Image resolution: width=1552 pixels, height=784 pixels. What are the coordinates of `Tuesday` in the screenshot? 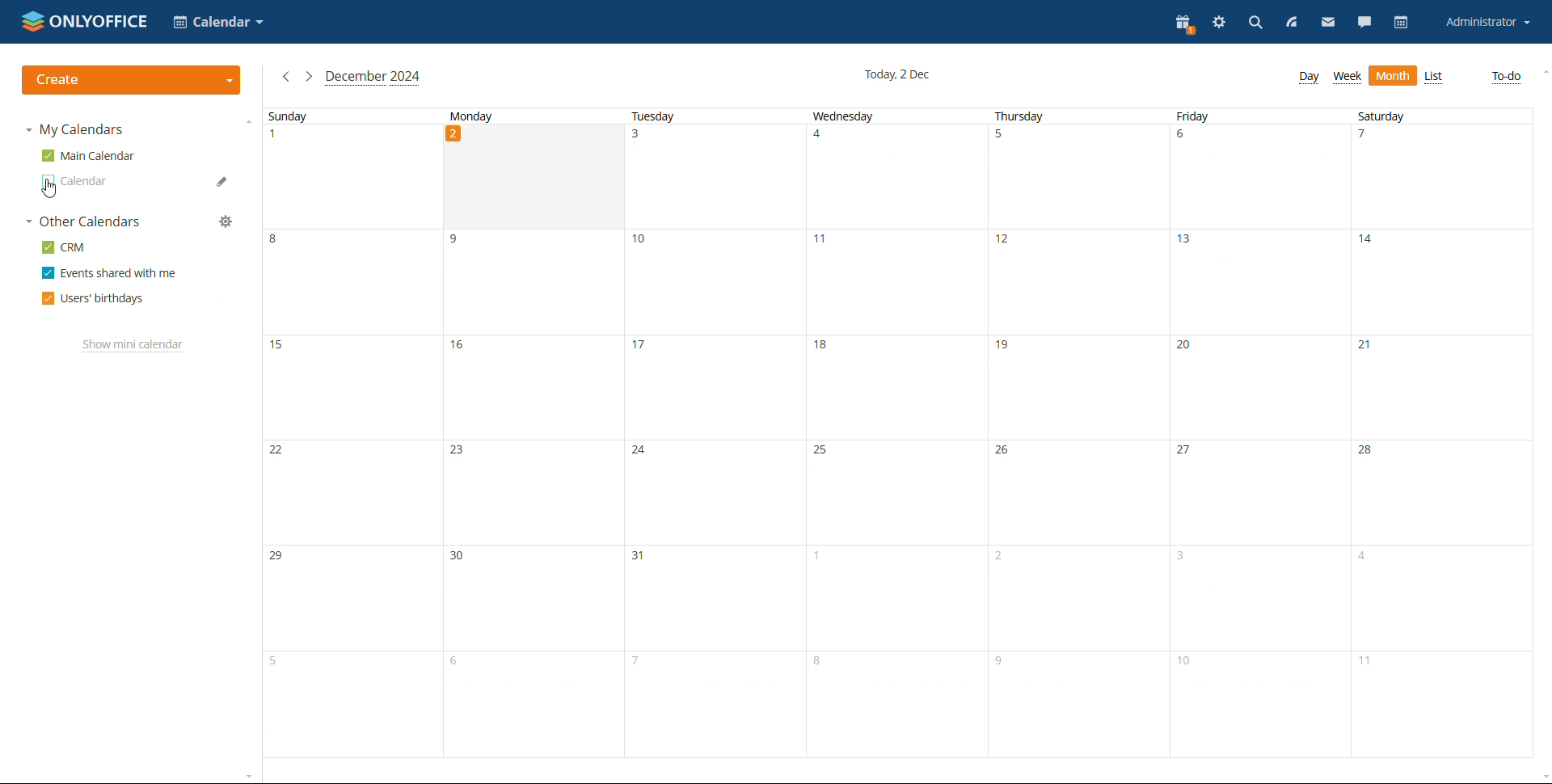 It's located at (713, 433).